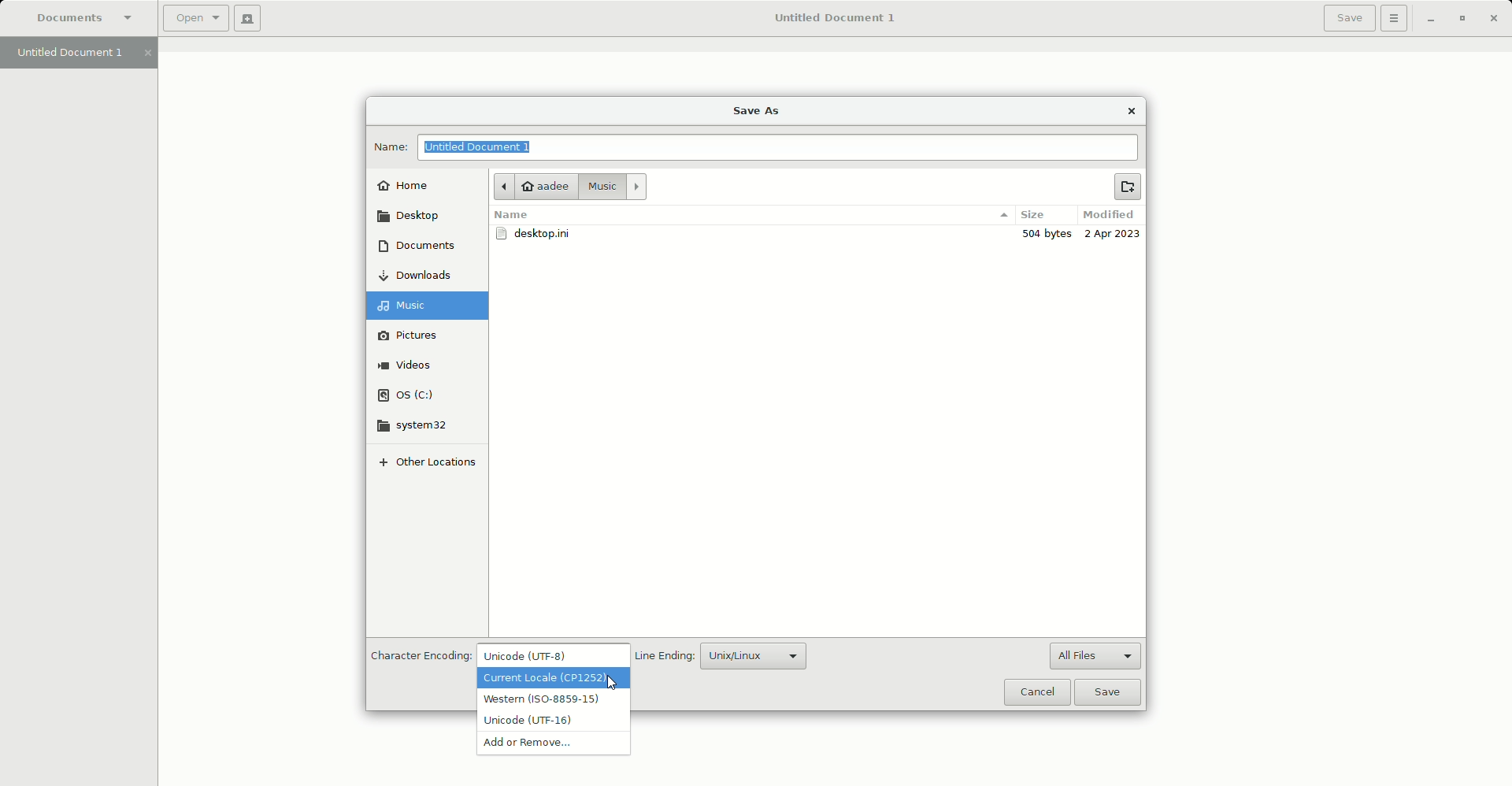  I want to click on Videos, so click(428, 366).